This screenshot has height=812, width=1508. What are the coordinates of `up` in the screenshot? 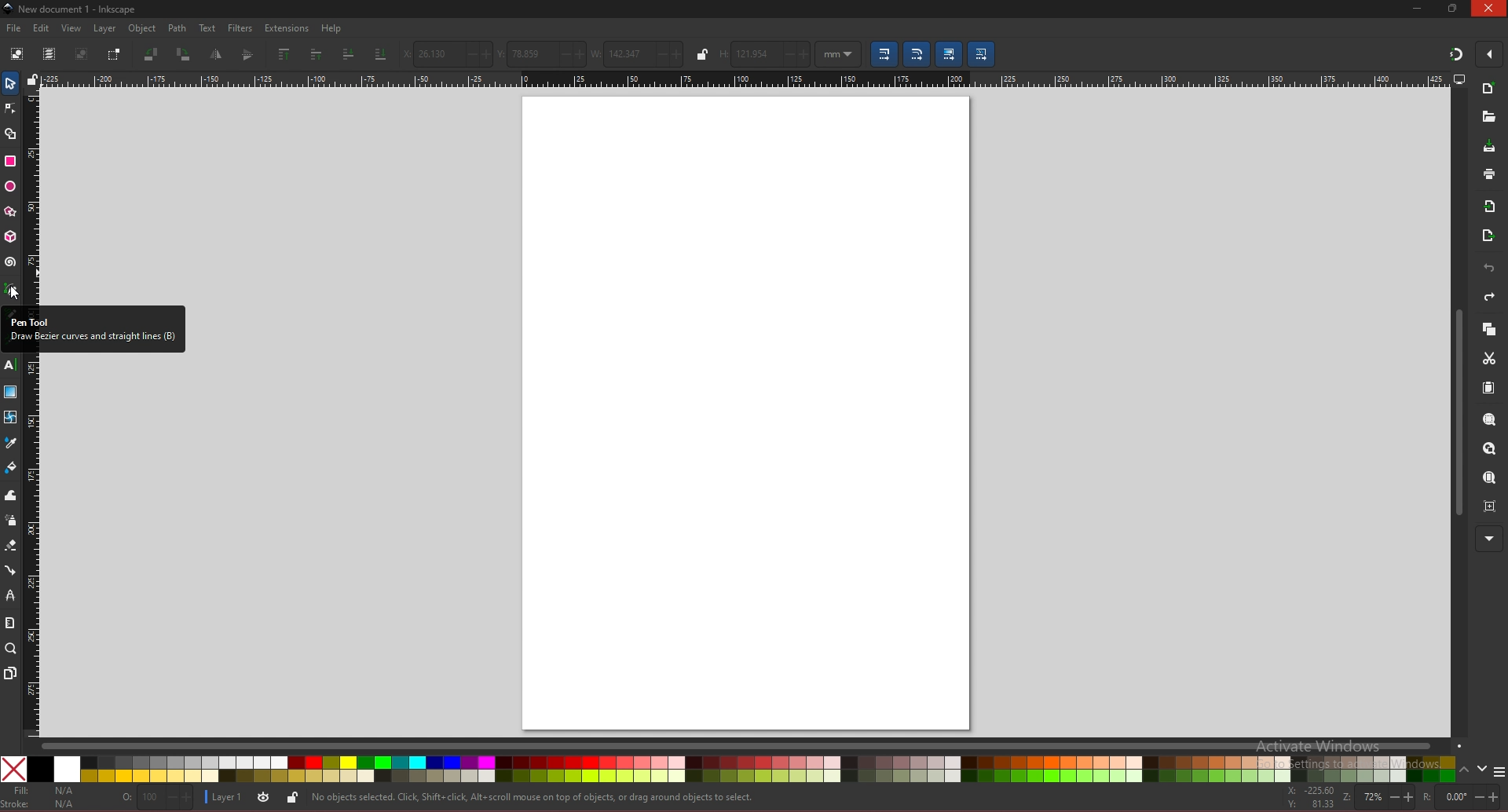 It's located at (1465, 772).